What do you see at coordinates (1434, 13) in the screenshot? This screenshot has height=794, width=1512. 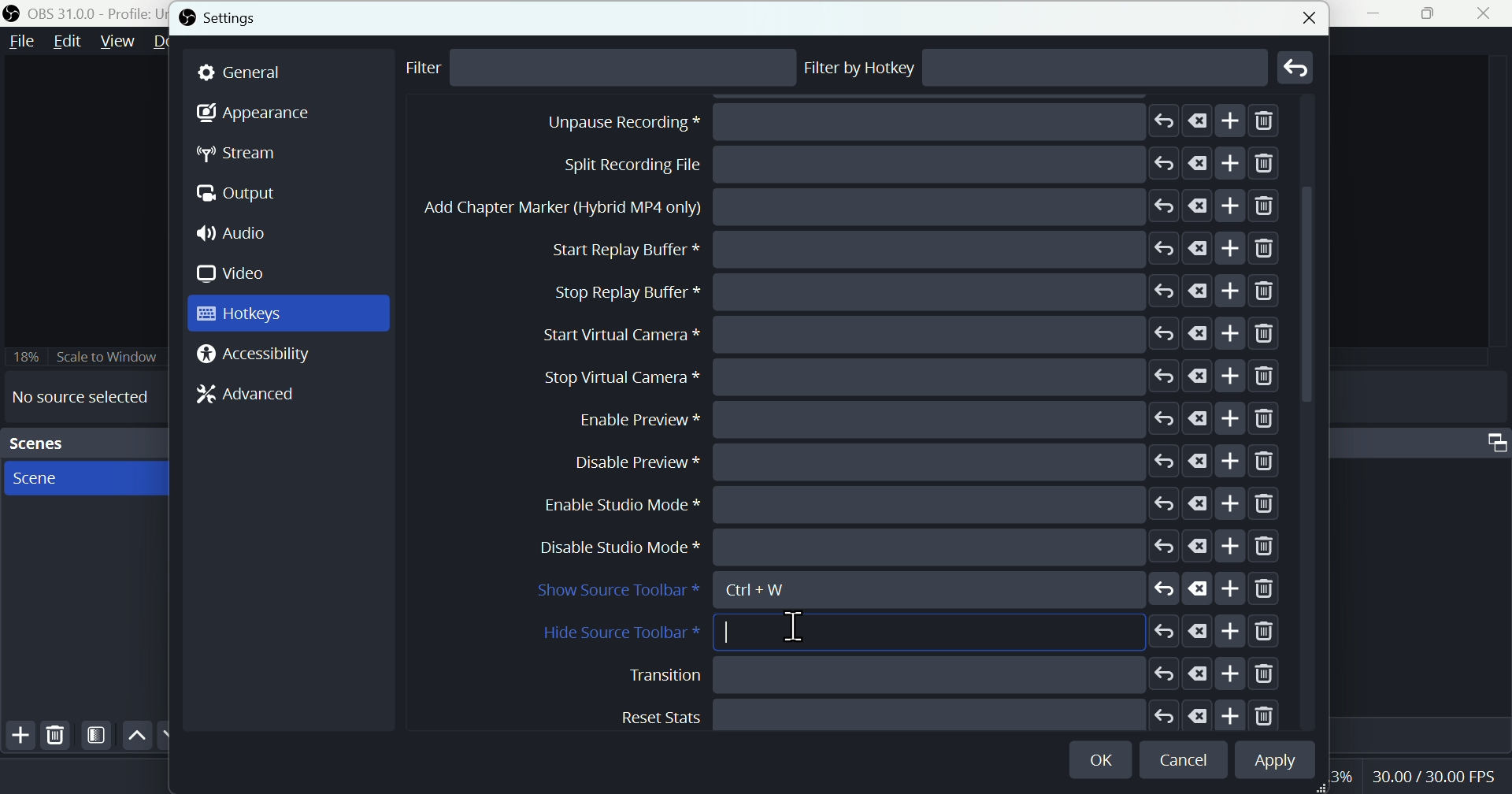 I see `Maximise` at bounding box center [1434, 13].